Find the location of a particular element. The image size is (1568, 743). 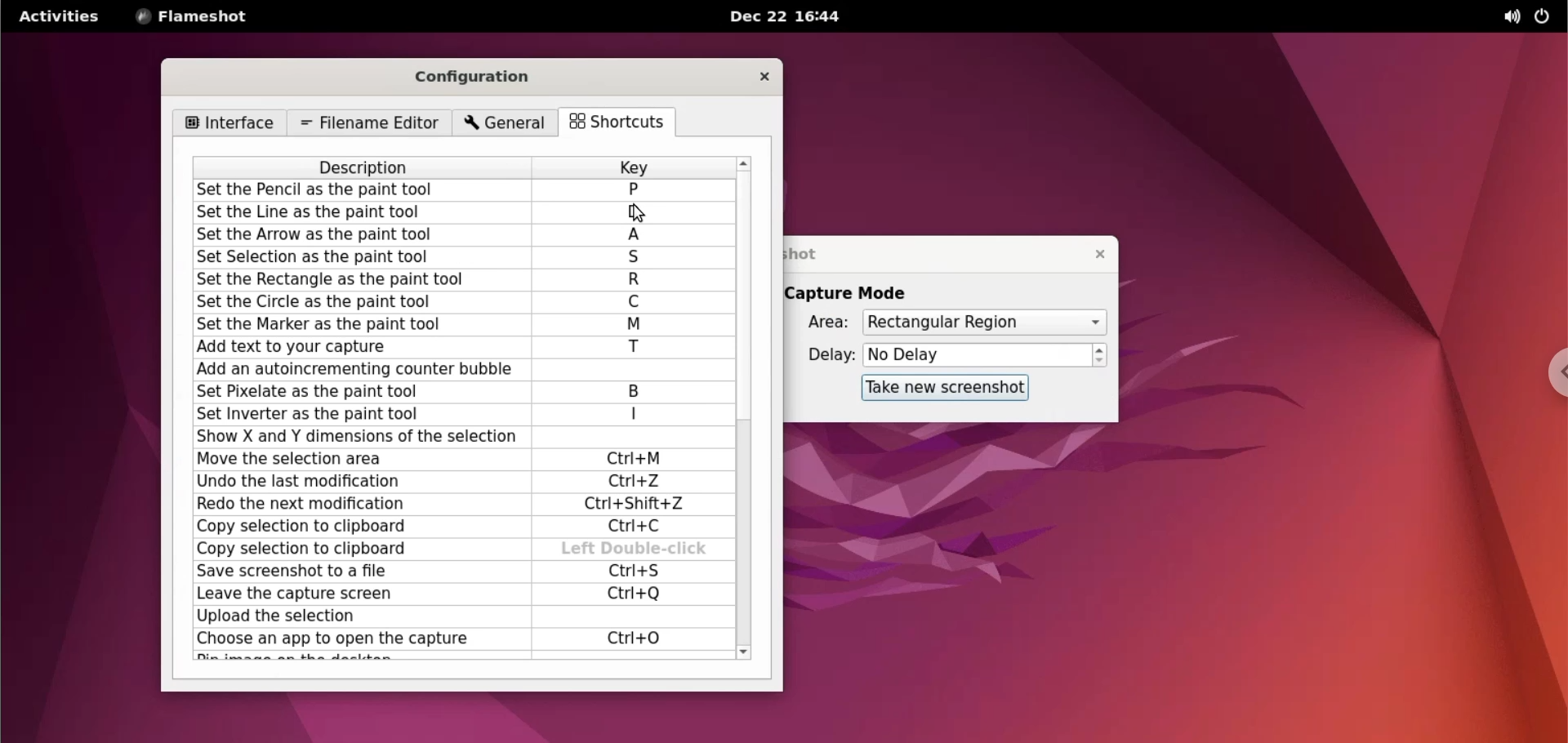

scrollbar is located at coordinates (746, 406).